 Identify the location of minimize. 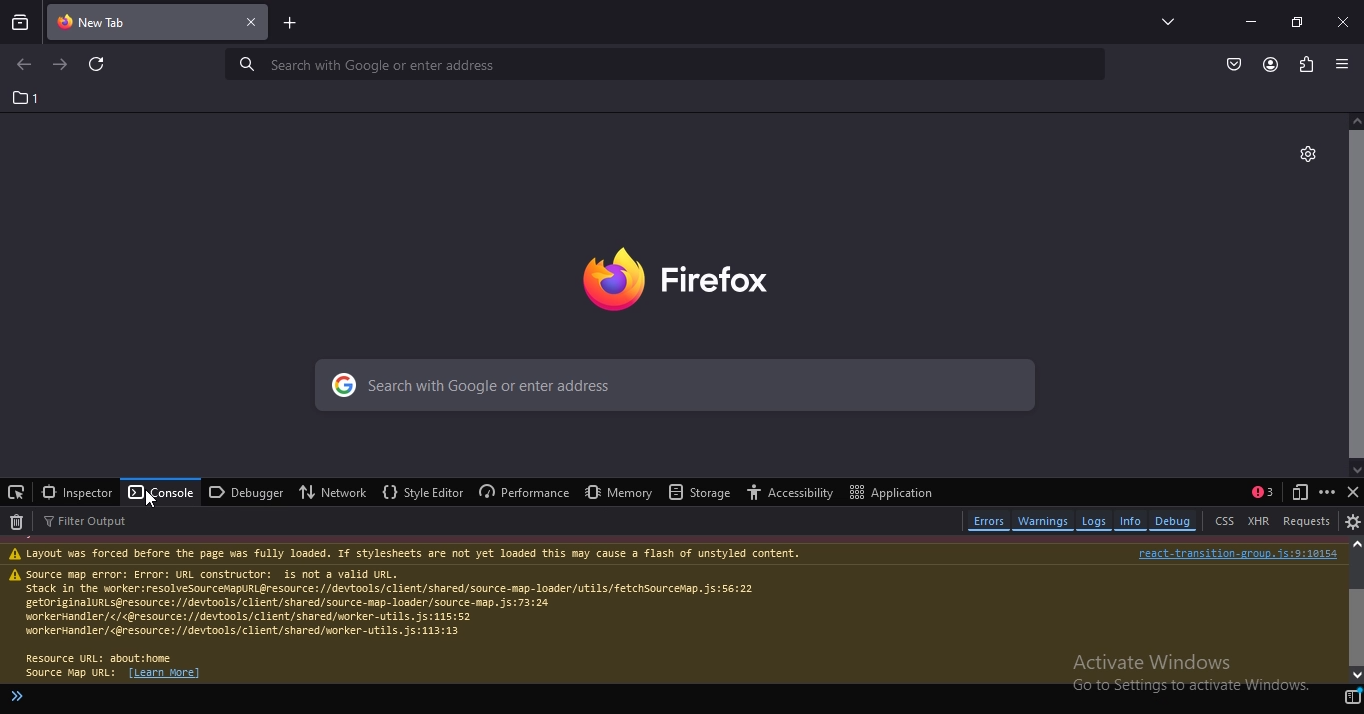
(1250, 21).